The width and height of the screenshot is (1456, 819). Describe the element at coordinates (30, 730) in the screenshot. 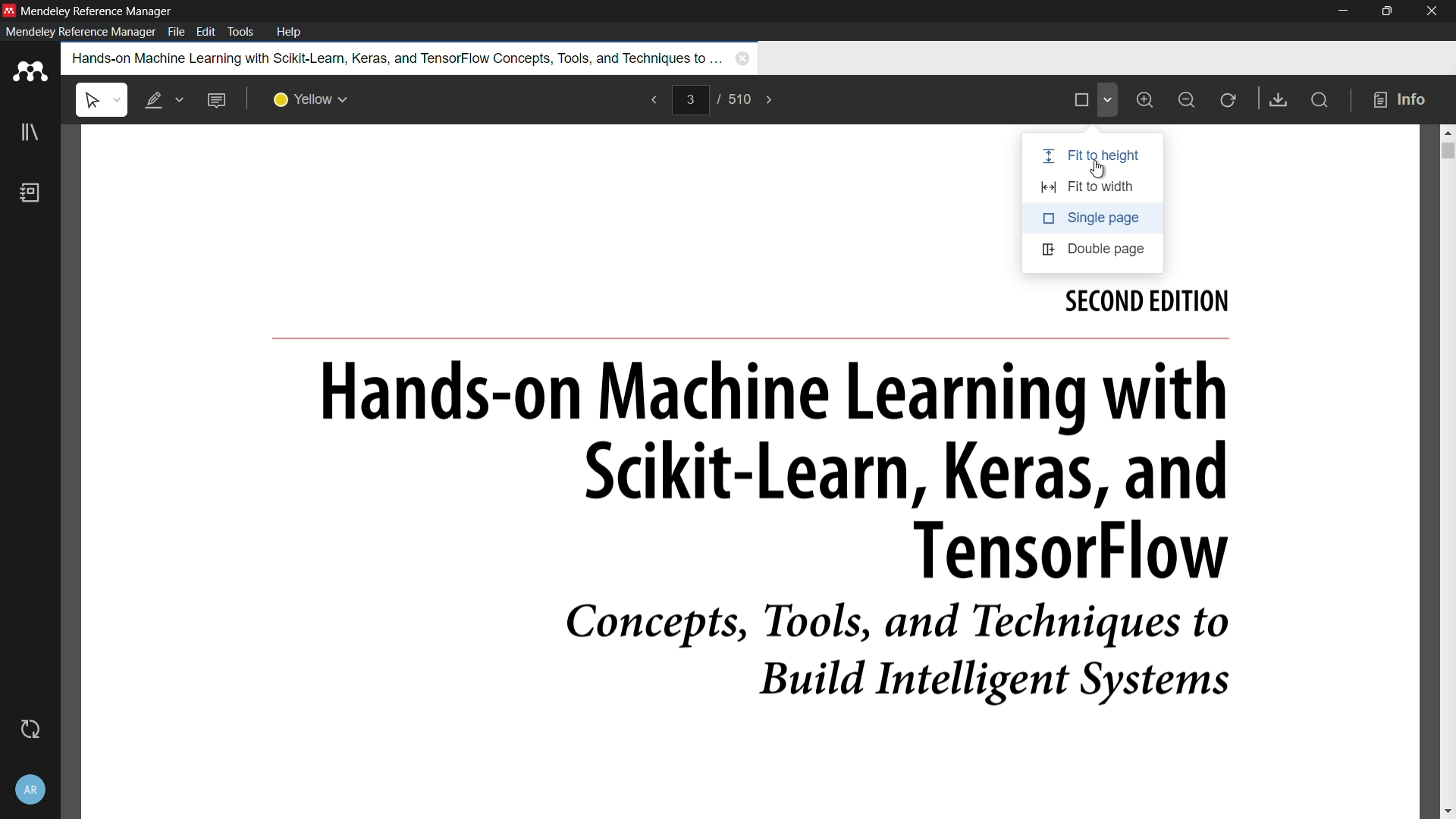

I see `sync` at that location.